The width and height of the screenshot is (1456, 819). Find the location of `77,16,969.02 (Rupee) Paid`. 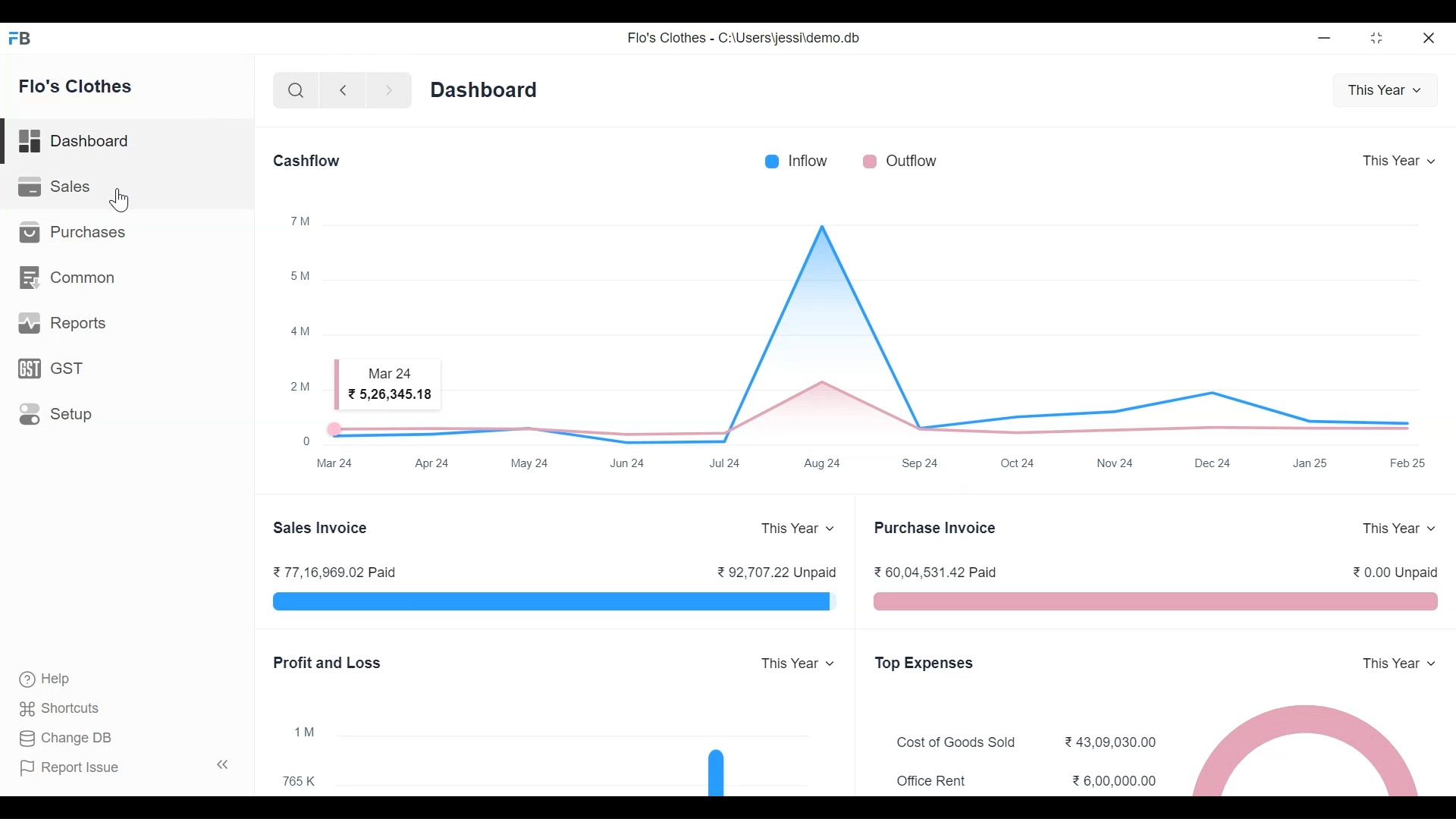

77,16,969.02 (Rupee) Paid is located at coordinates (335, 572).